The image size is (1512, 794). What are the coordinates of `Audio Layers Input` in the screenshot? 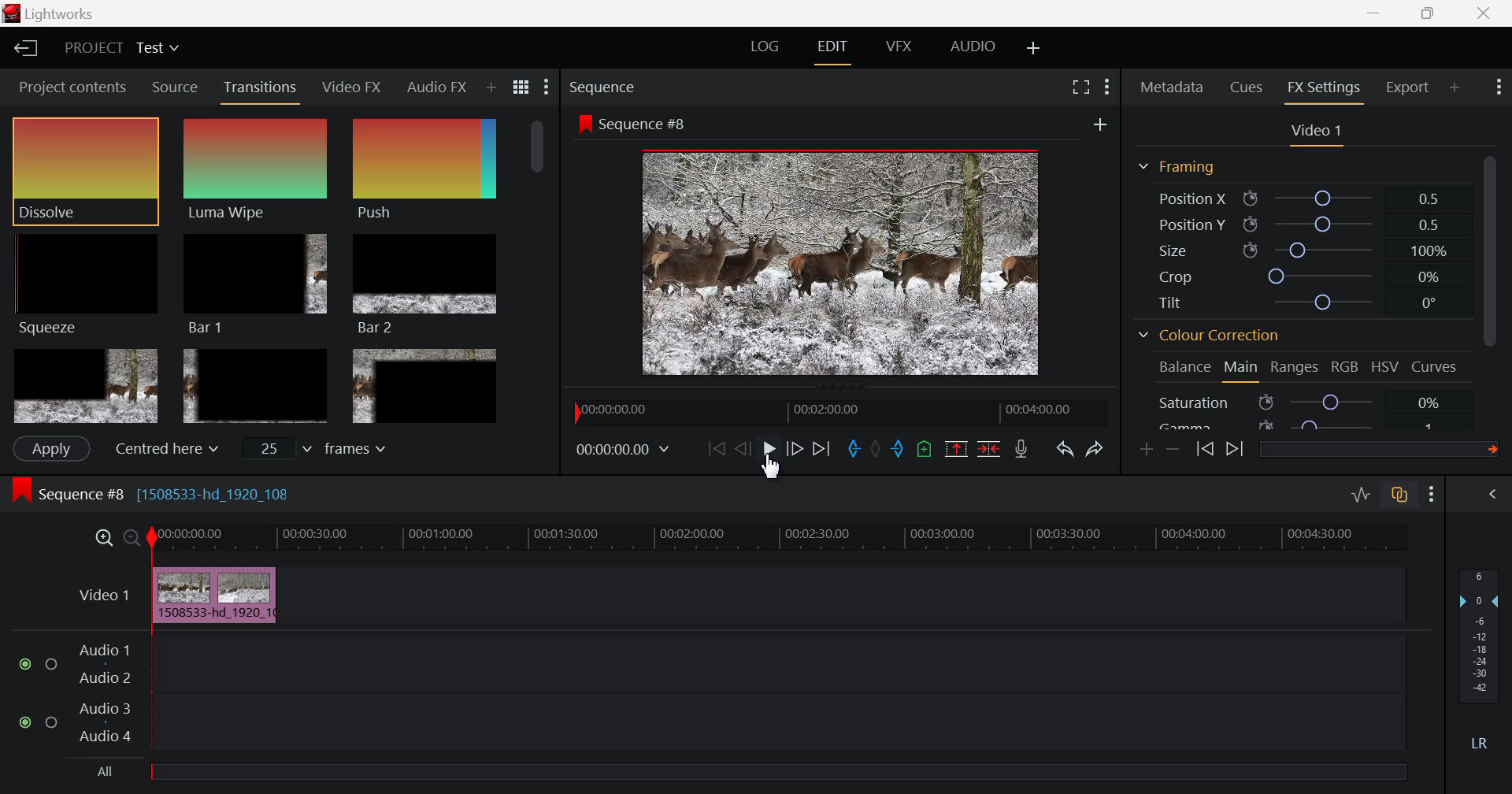 It's located at (710, 695).